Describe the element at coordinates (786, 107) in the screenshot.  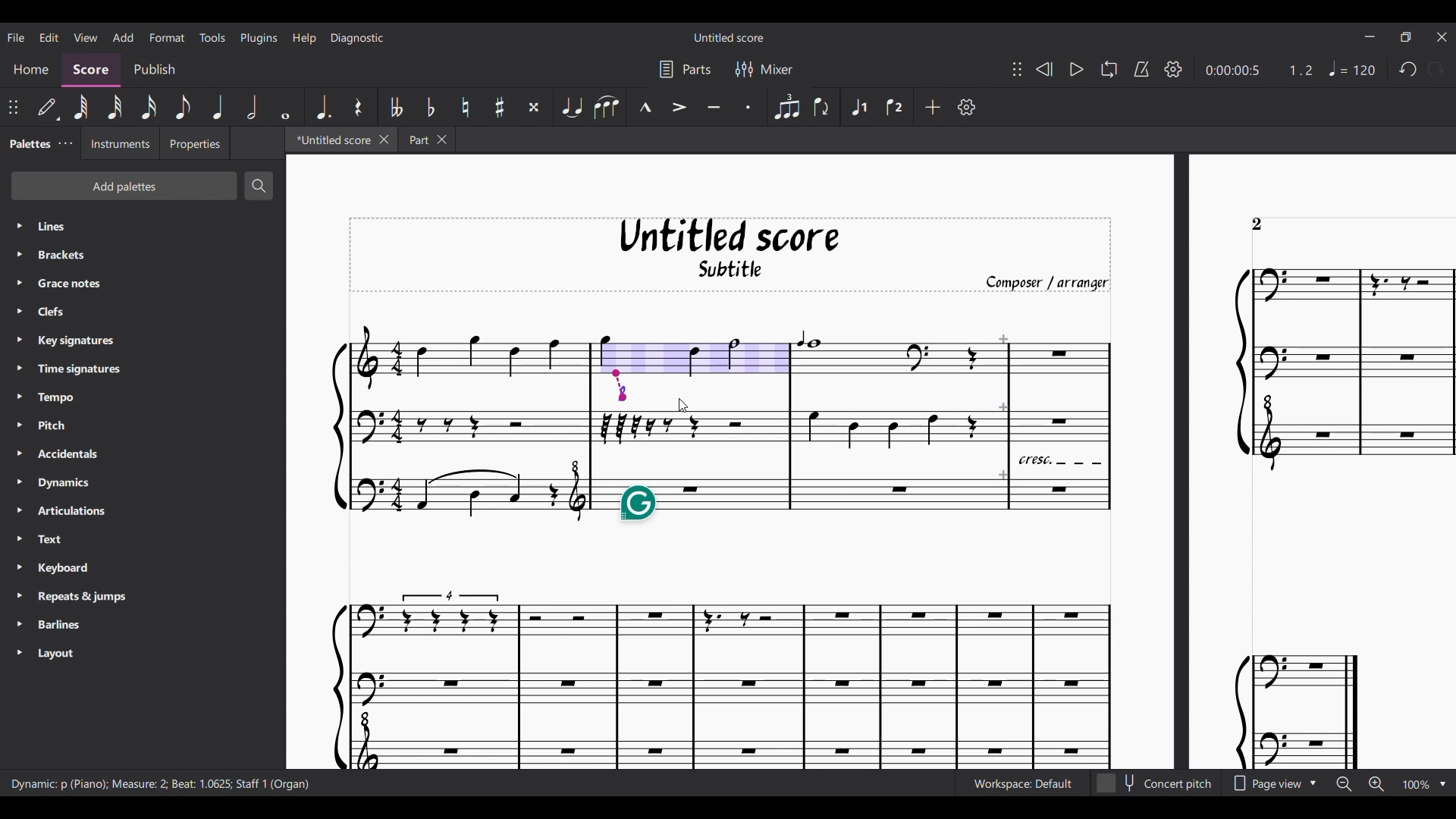
I see `Tuplet` at that location.